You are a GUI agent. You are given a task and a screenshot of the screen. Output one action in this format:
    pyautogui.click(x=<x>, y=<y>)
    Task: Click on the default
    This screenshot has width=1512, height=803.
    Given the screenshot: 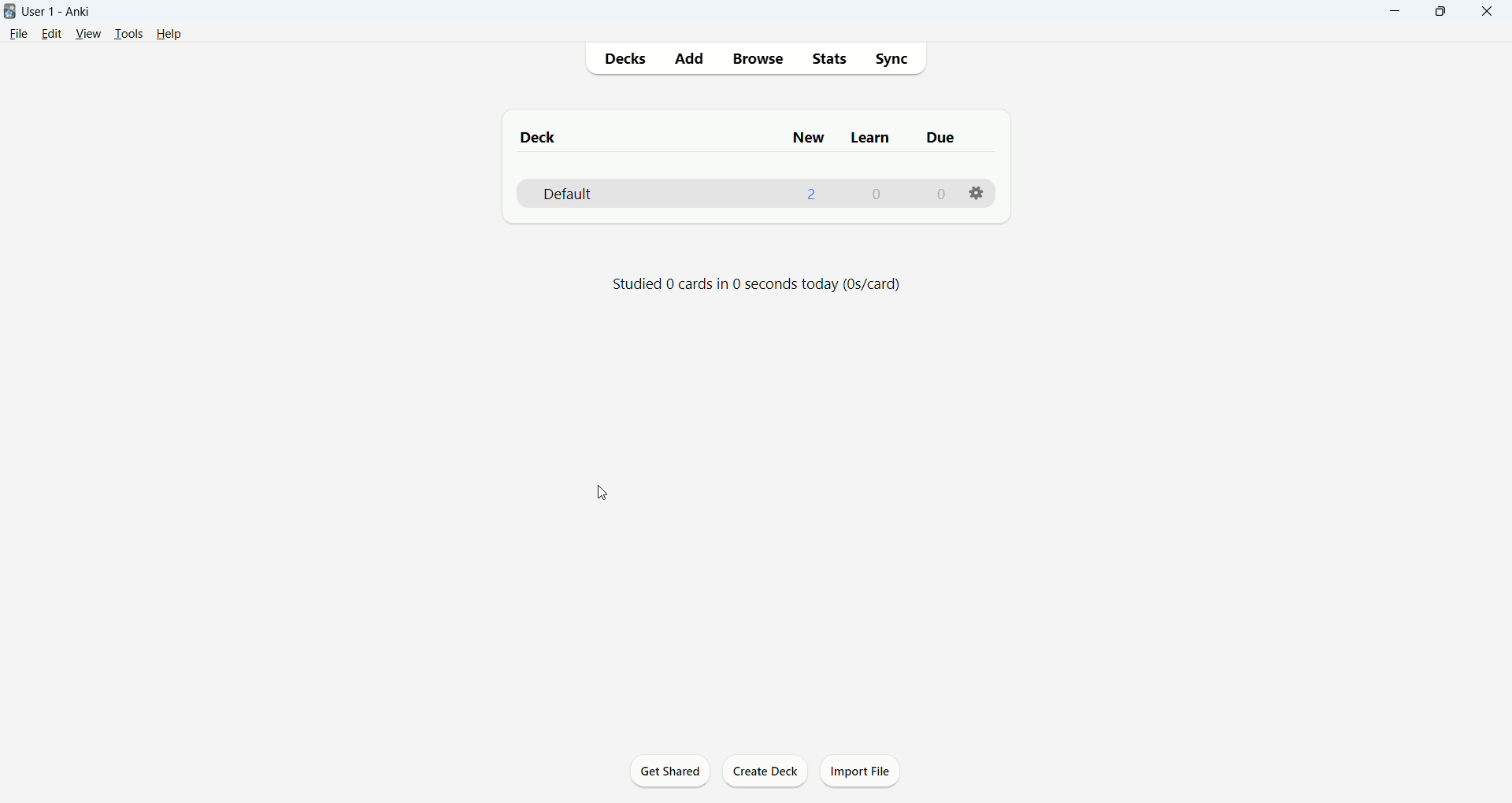 What is the action you would take?
    pyautogui.click(x=565, y=194)
    